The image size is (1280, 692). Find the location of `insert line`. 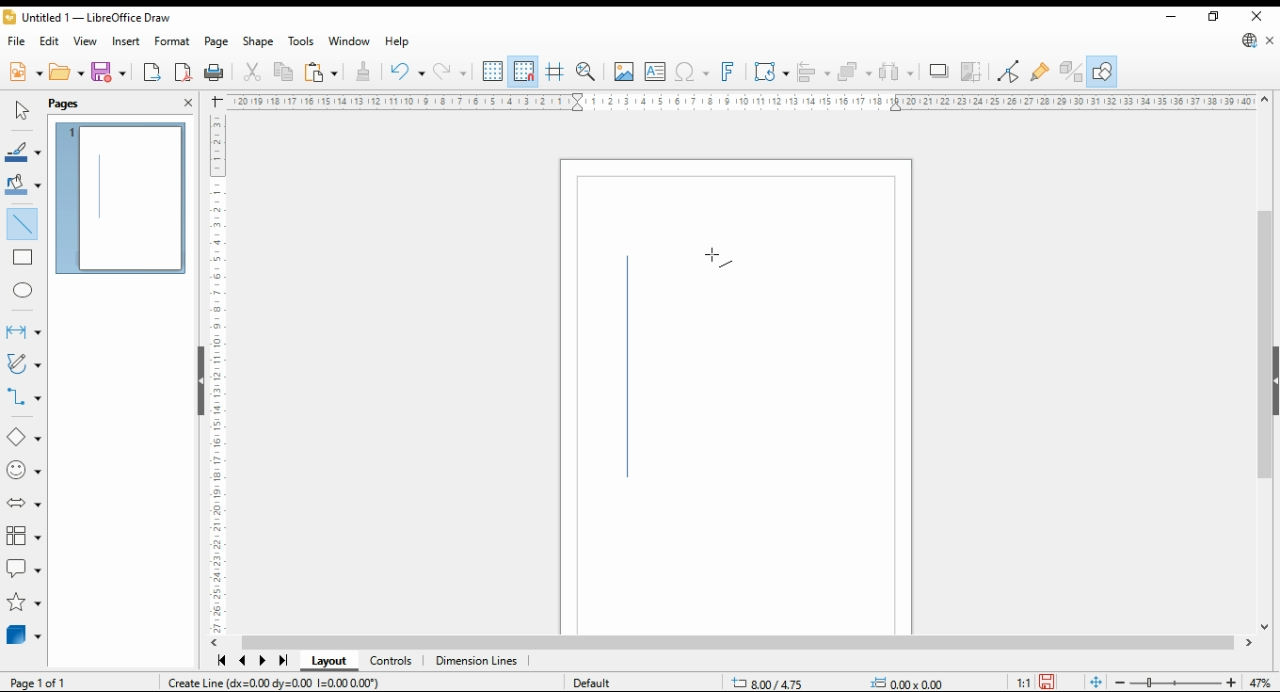

insert line is located at coordinates (26, 227).